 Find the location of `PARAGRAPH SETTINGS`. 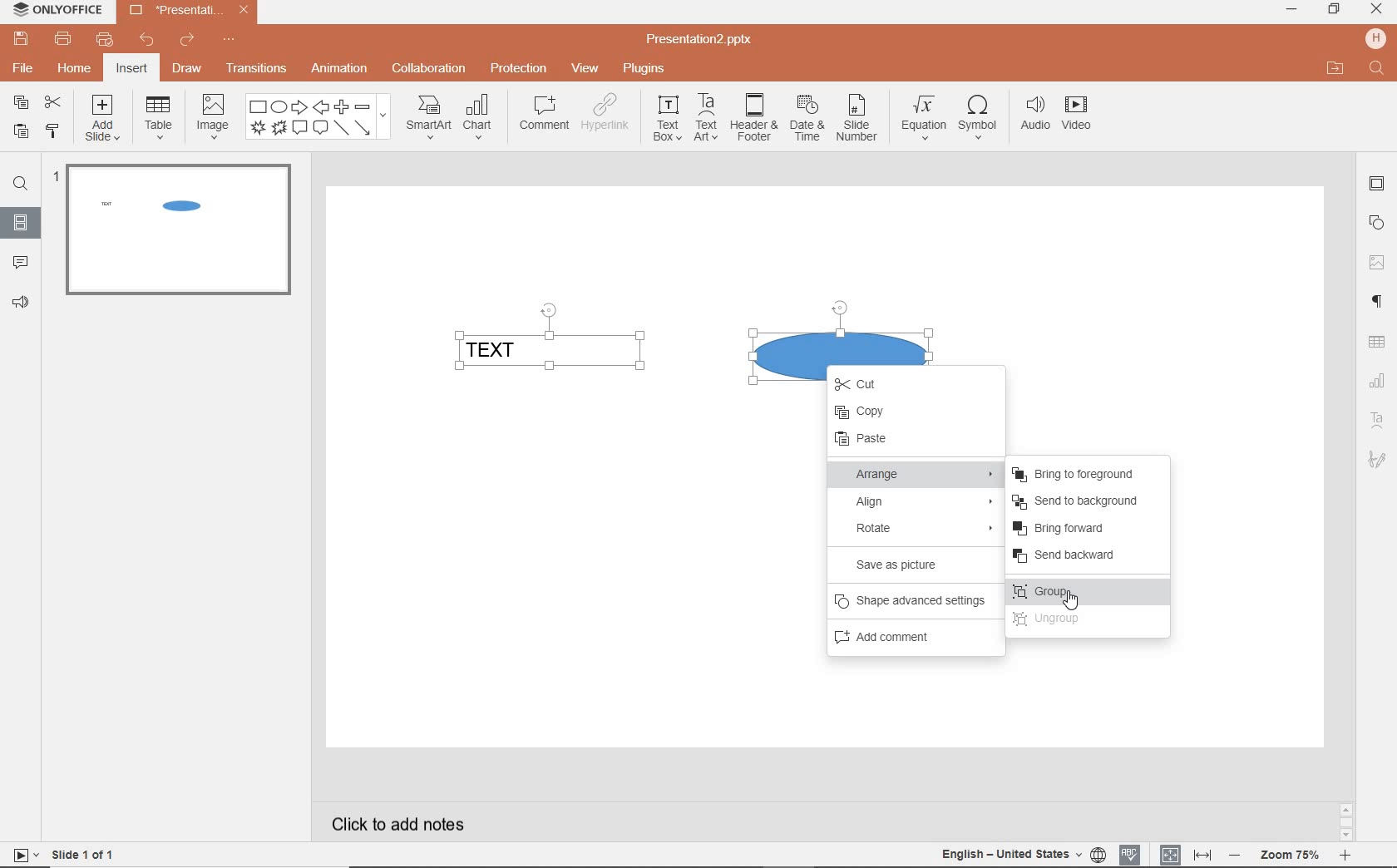

PARAGRAPH SETTINGS is located at coordinates (1378, 303).